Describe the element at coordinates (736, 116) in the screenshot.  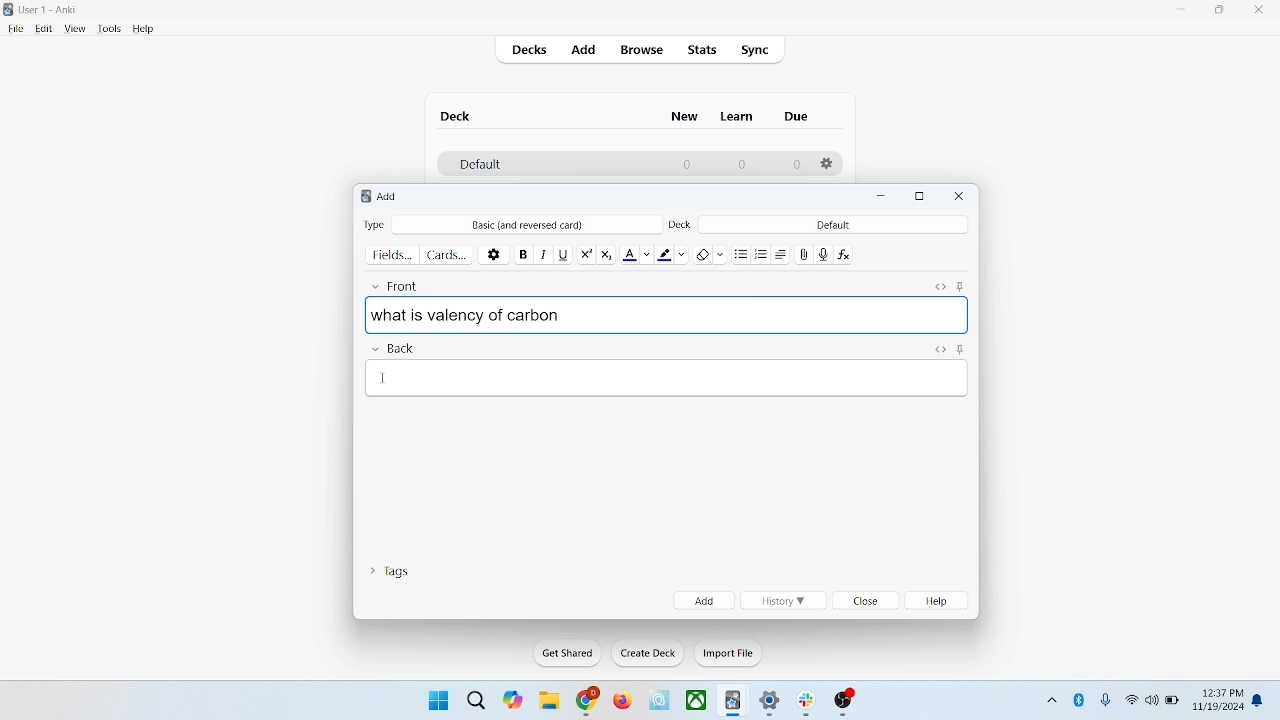
I see `learn` at that location.